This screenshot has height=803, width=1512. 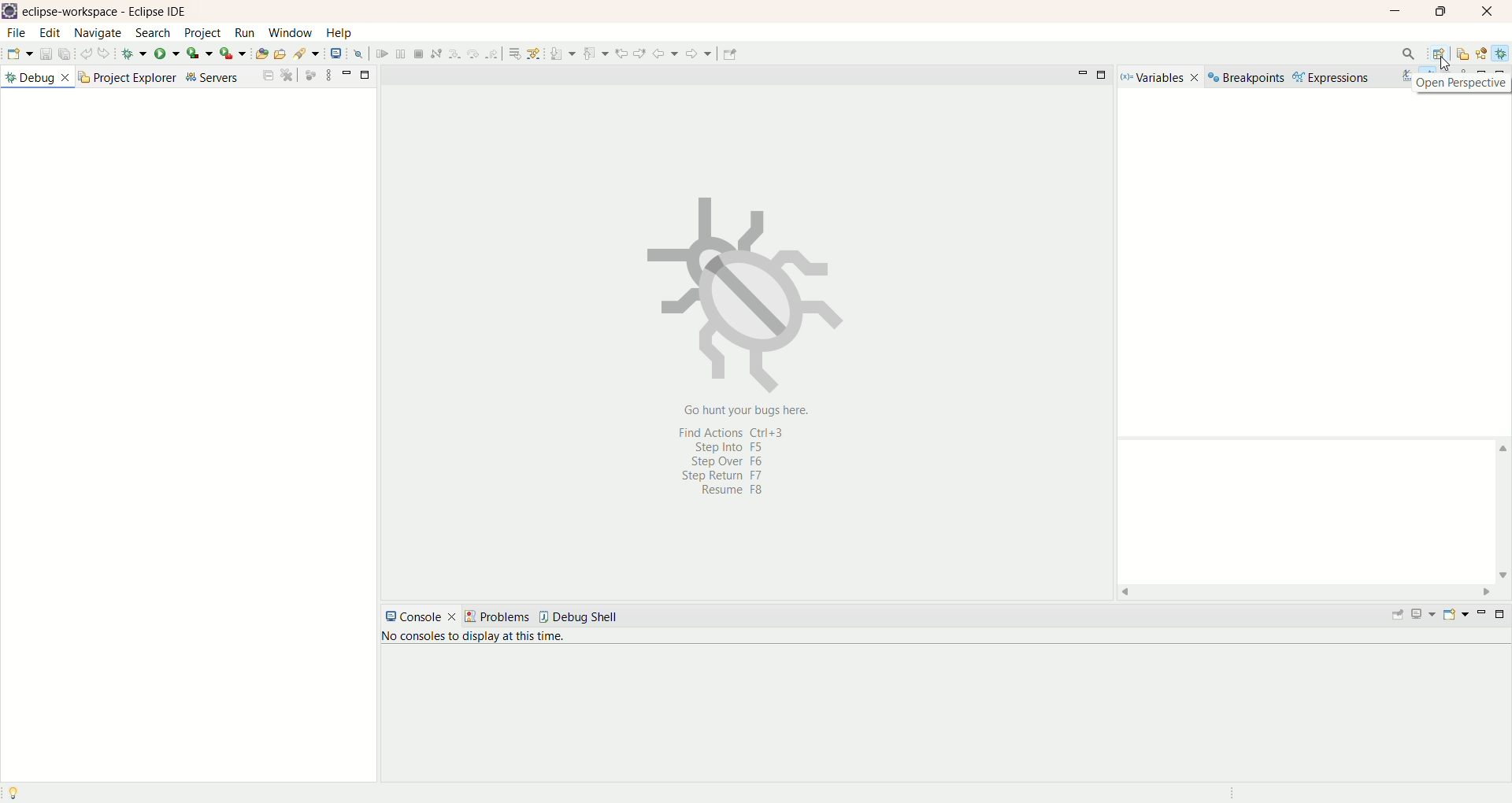 What do you see at coordinates (503, 616) in the screenshot?
I see `problems` at bounding box center [503, 616].